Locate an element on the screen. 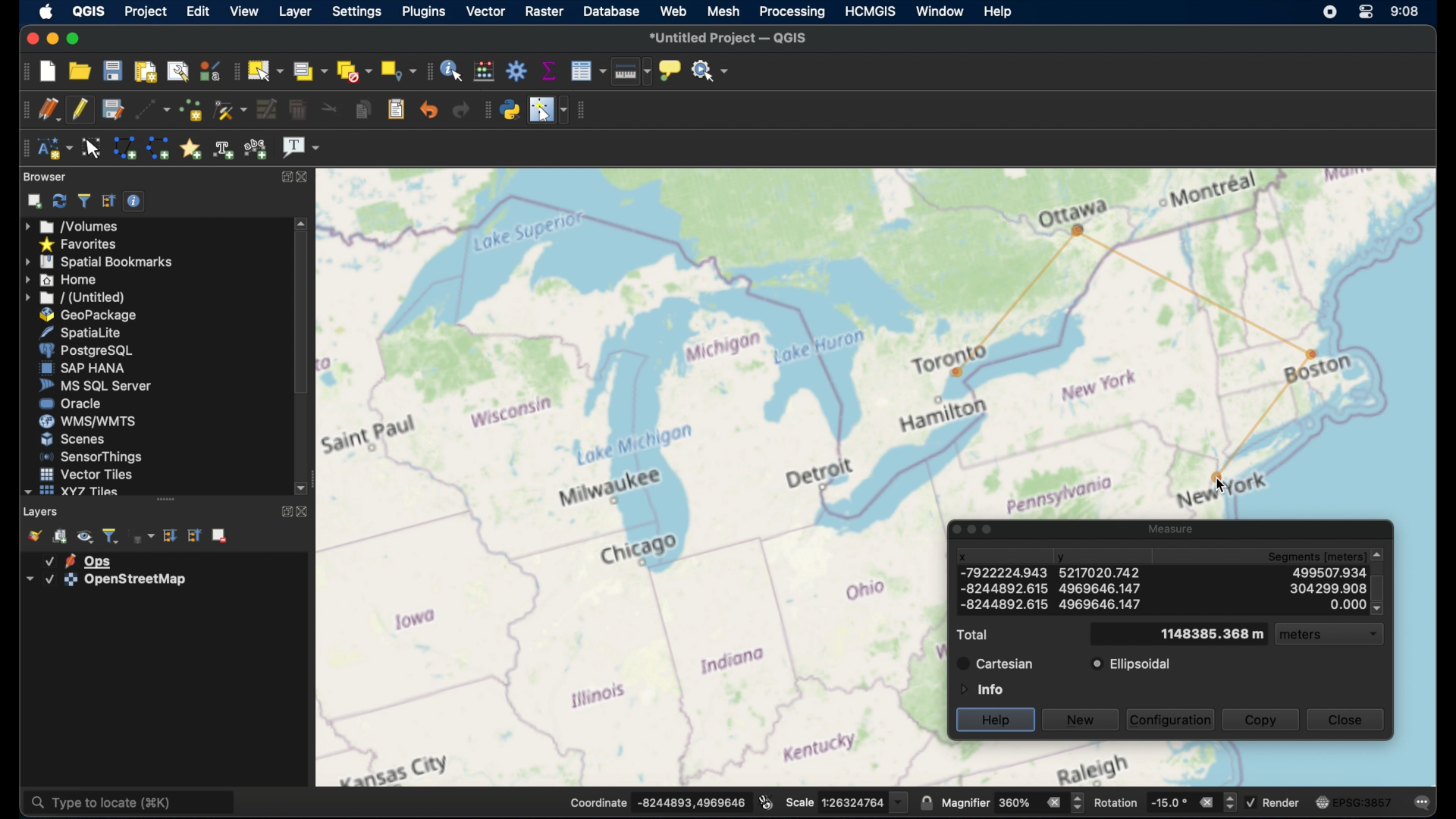 The width and height of the screenshot is (1456, 819). python console is located at coordinates (510, 108).